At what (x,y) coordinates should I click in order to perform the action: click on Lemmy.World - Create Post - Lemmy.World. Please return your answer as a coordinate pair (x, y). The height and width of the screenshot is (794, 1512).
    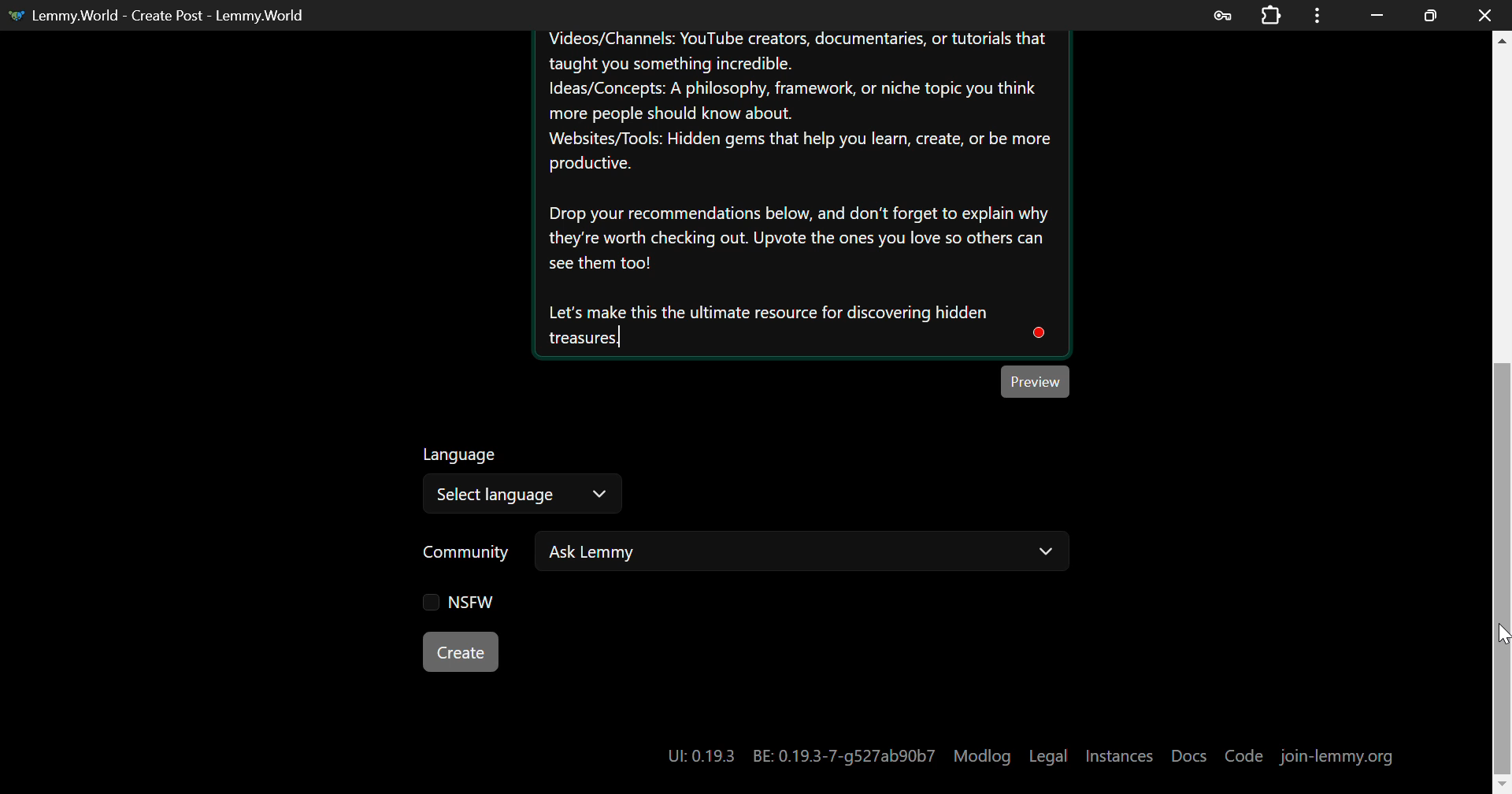
    Looking at the image, I should click on (162, 15).